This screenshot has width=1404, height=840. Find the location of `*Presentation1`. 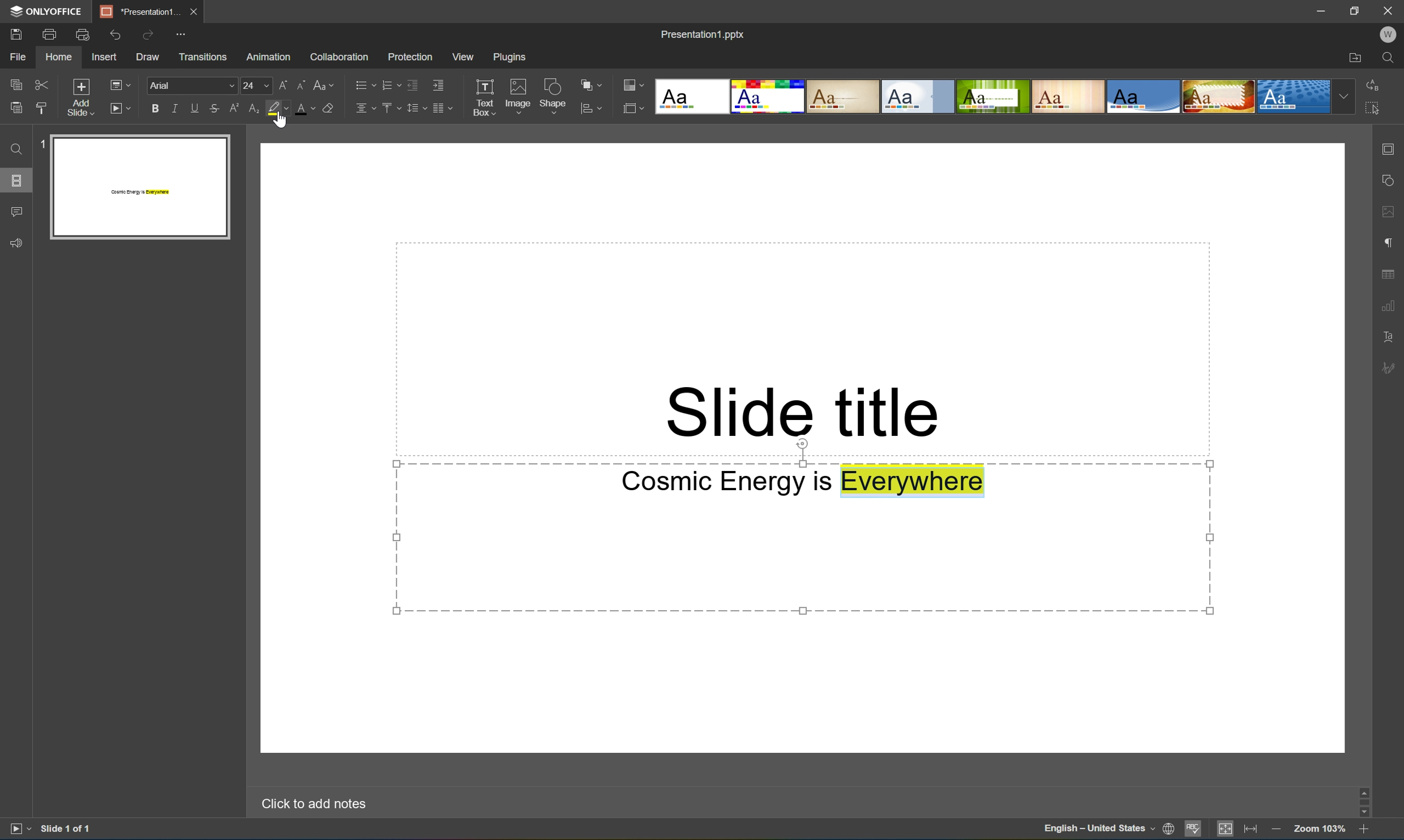

*Presentation1 is located at coordinates (140, 11).